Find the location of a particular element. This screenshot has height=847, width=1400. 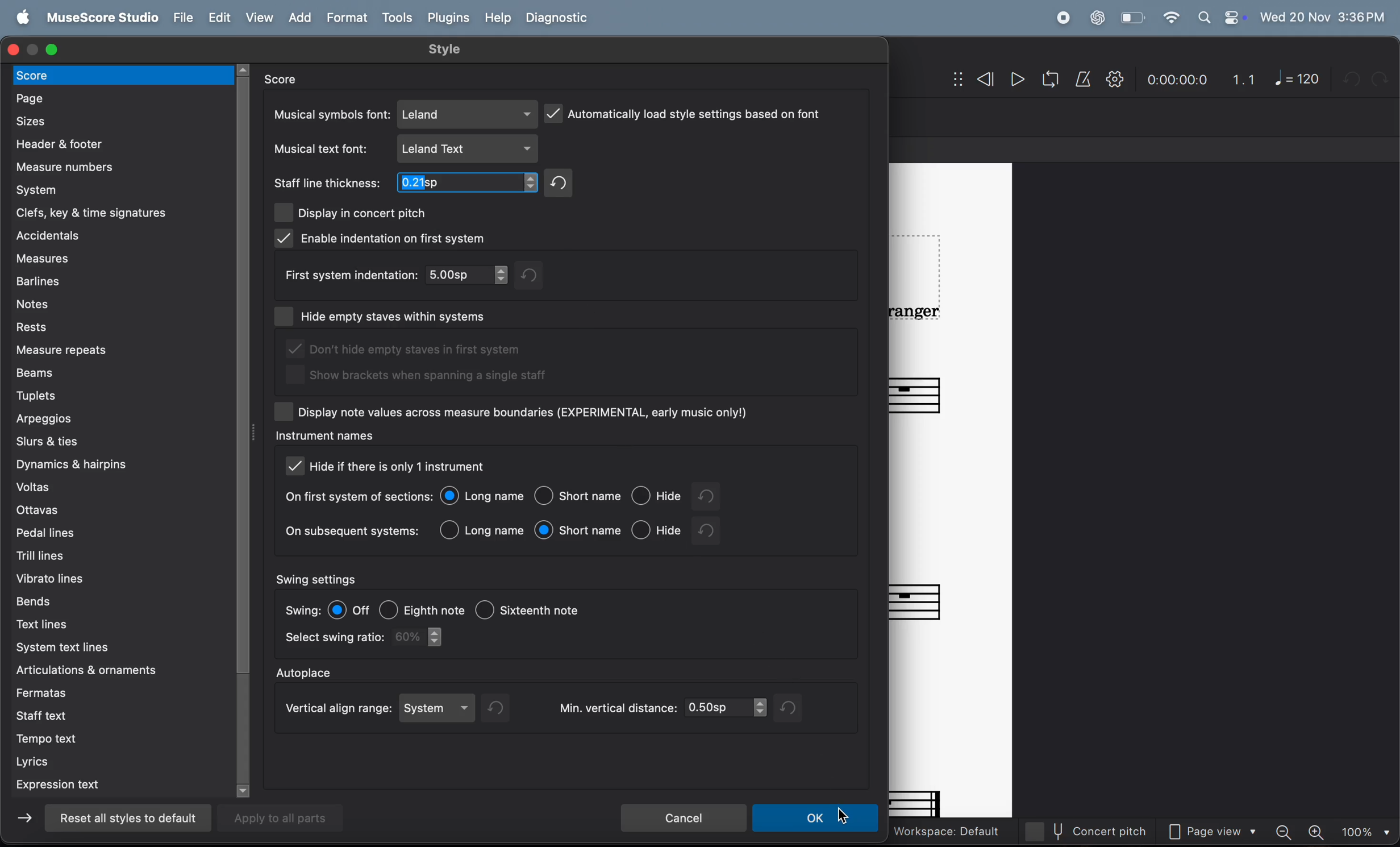

battery is located at coordinates (1131, 18).